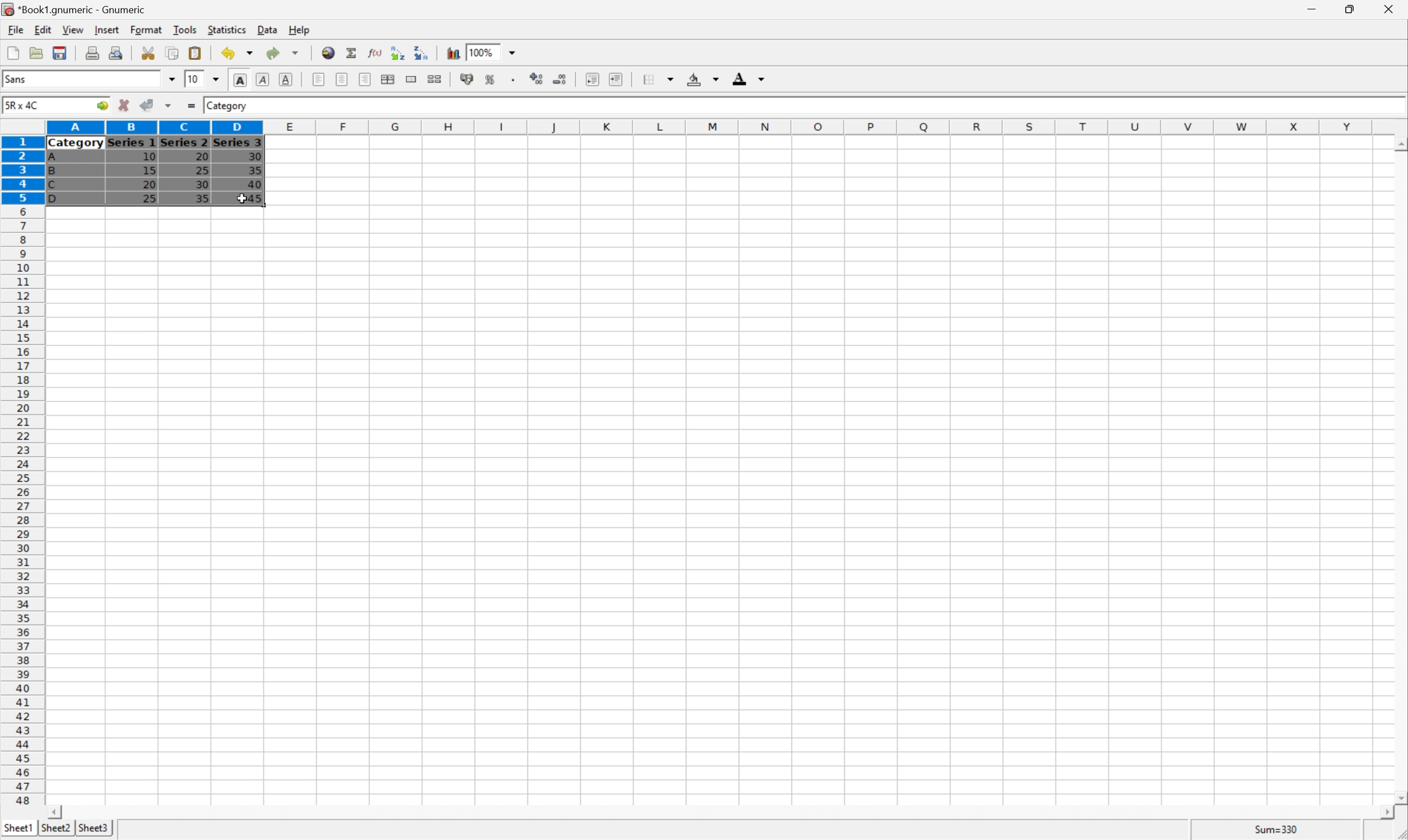  I want to click on Help, so click(300, 31).